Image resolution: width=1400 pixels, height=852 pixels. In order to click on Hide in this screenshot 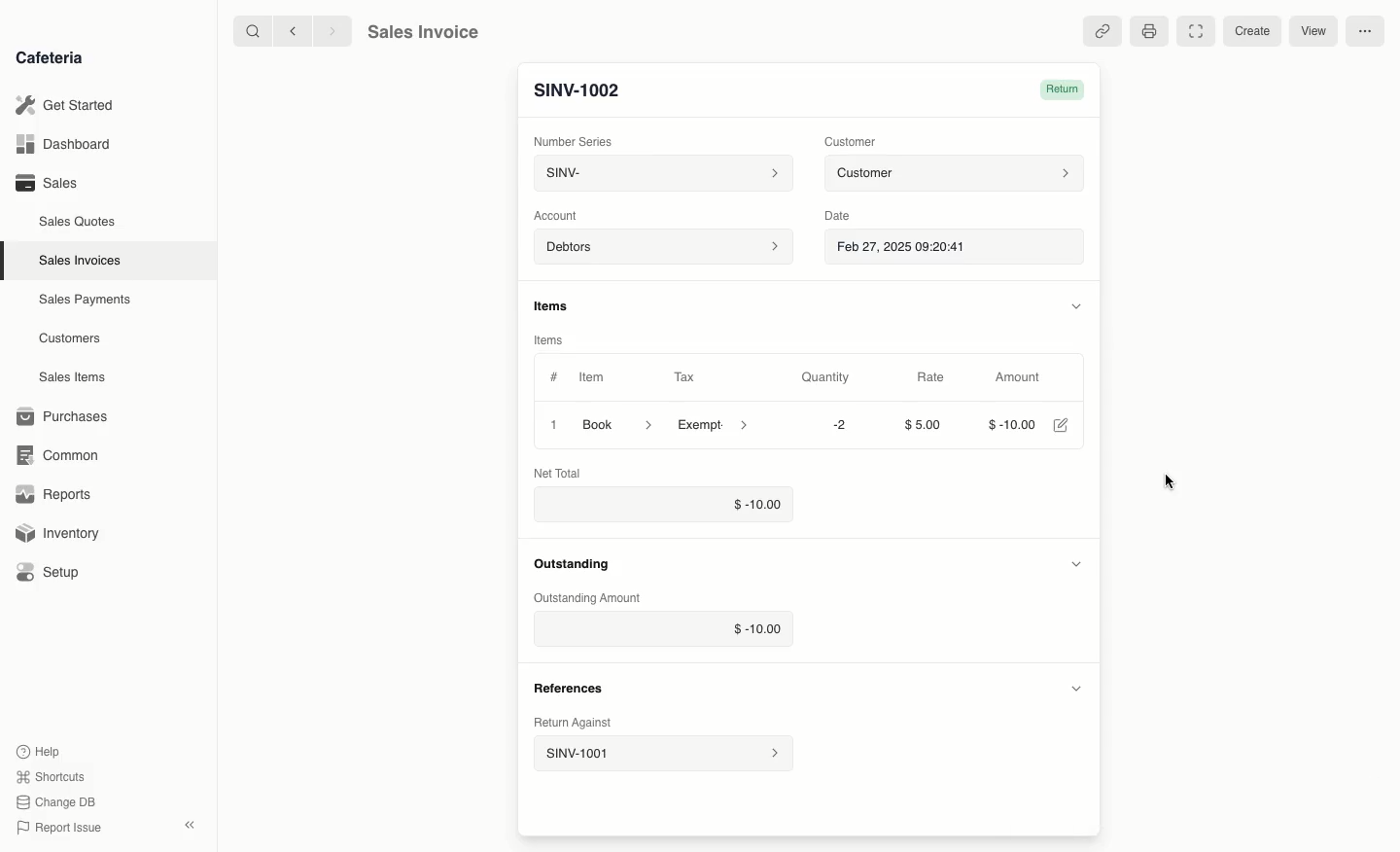, I will do `click(1073, 565)`.